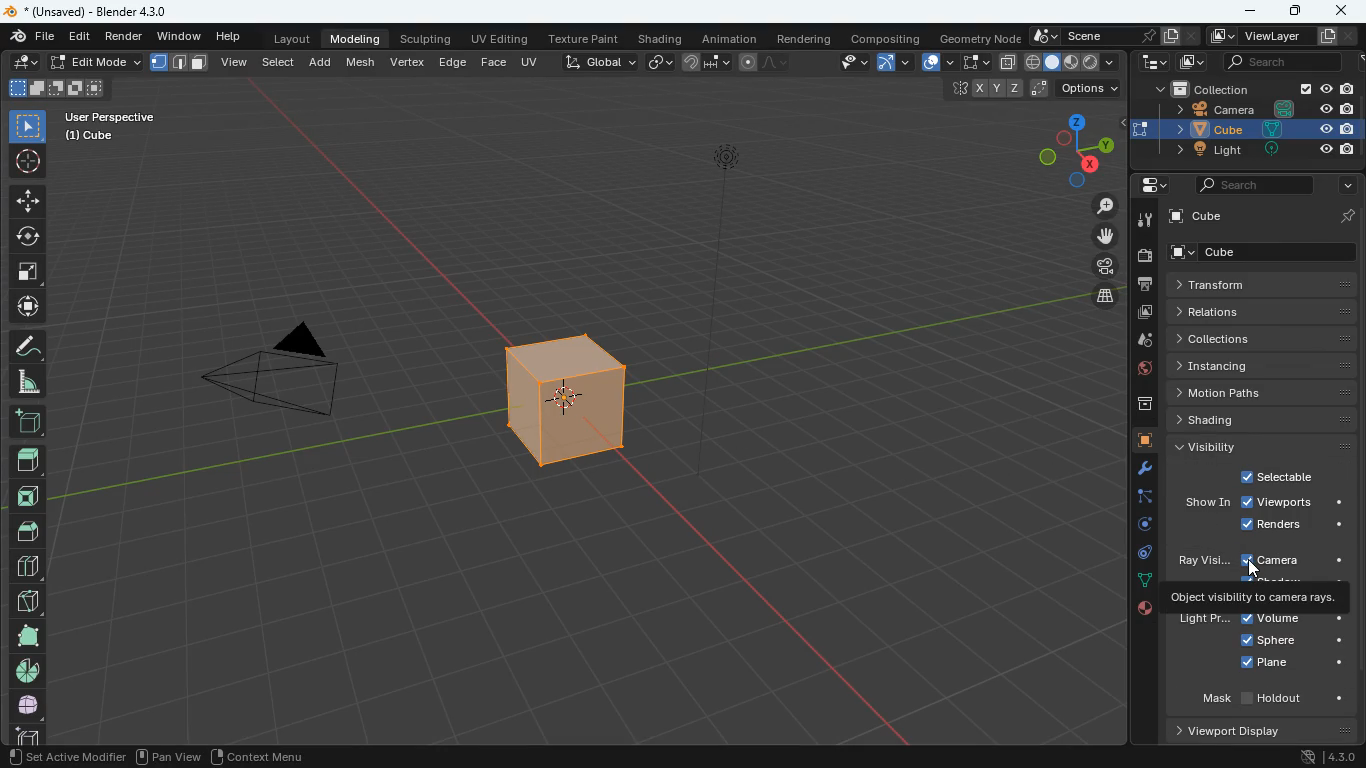 This screenshot has width=1366, height=768. What do you see at coordinates (1266, 284) in the screenshot?
I see `transform` at bounding box center [1266, 284].